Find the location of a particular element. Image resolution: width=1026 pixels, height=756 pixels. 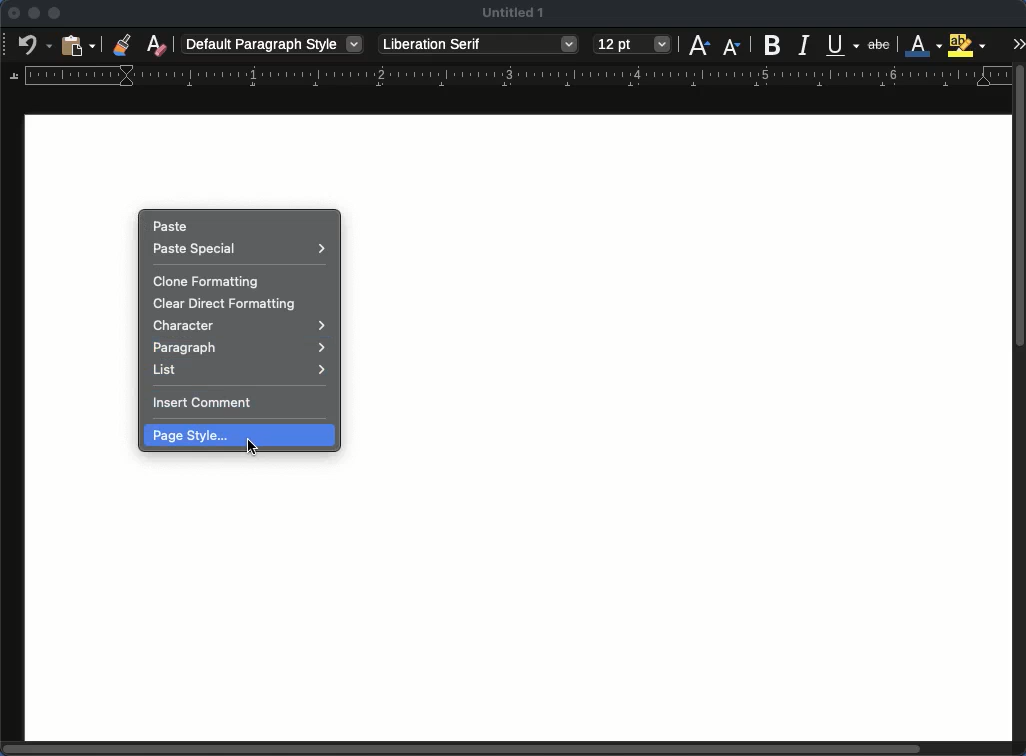

list is located at coordinates (240, 371).